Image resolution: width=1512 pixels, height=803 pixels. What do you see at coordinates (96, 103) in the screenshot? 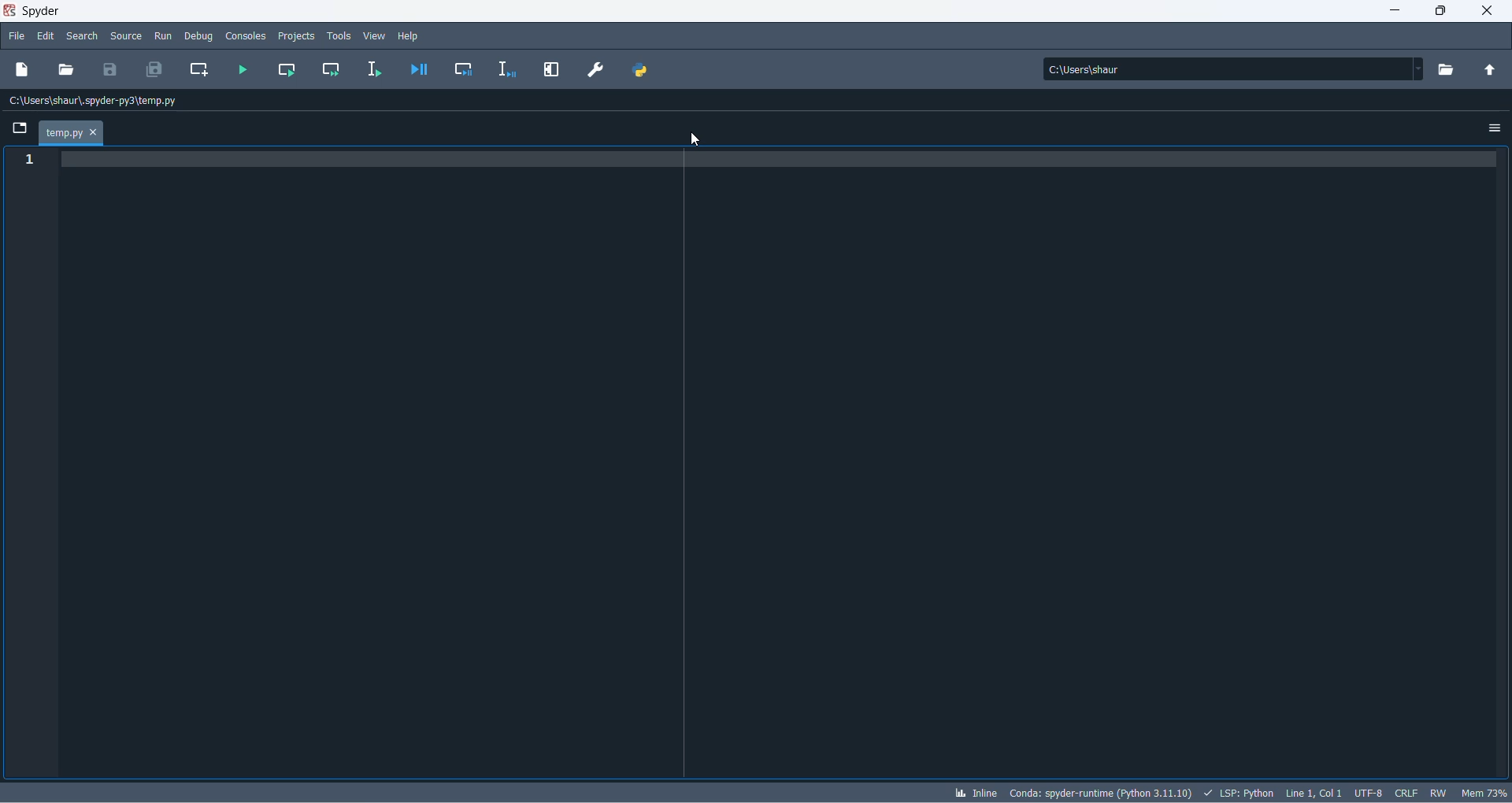
I see `path` at bounding box center [96, 103].